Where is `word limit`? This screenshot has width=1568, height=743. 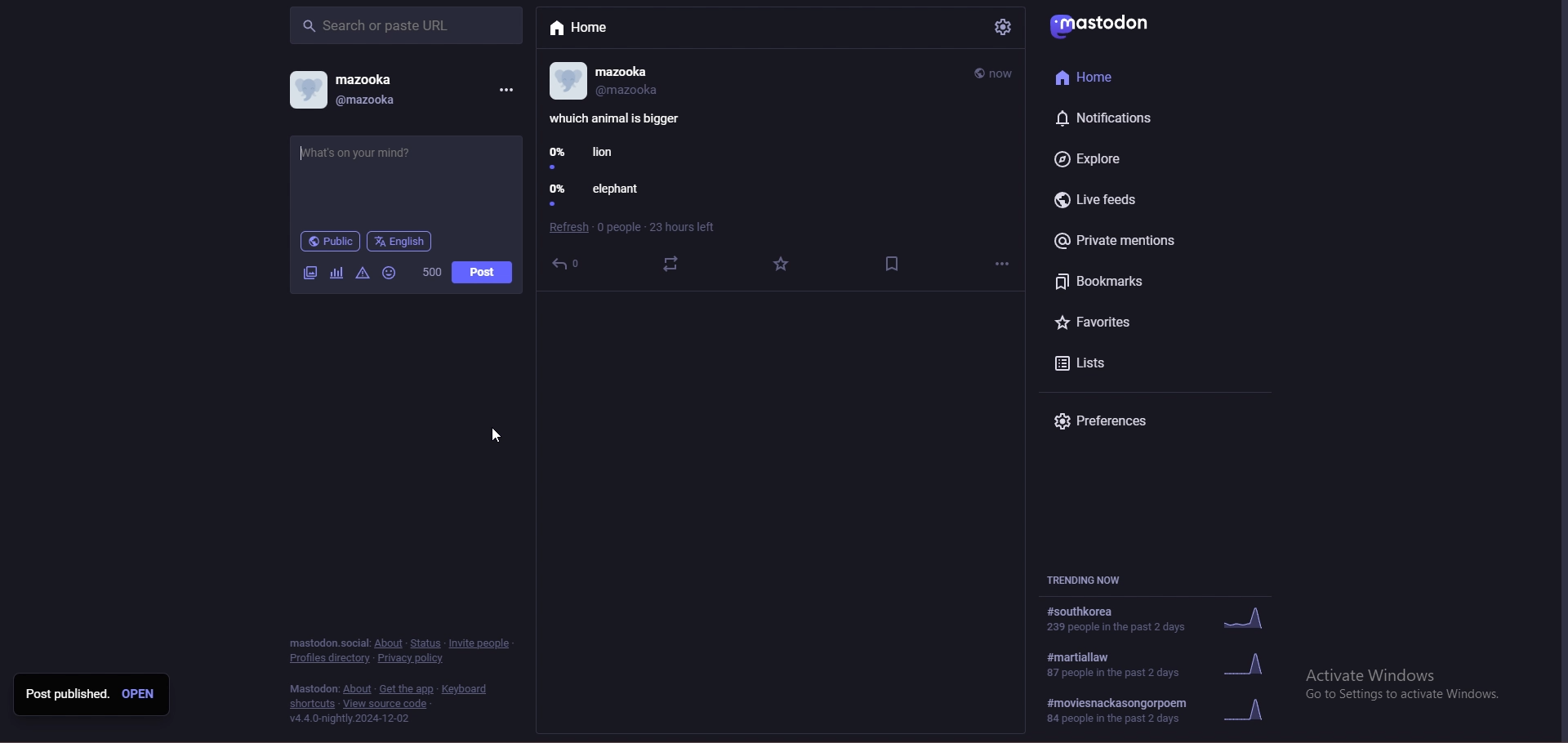 word limit is located at coordinates (431, 271).